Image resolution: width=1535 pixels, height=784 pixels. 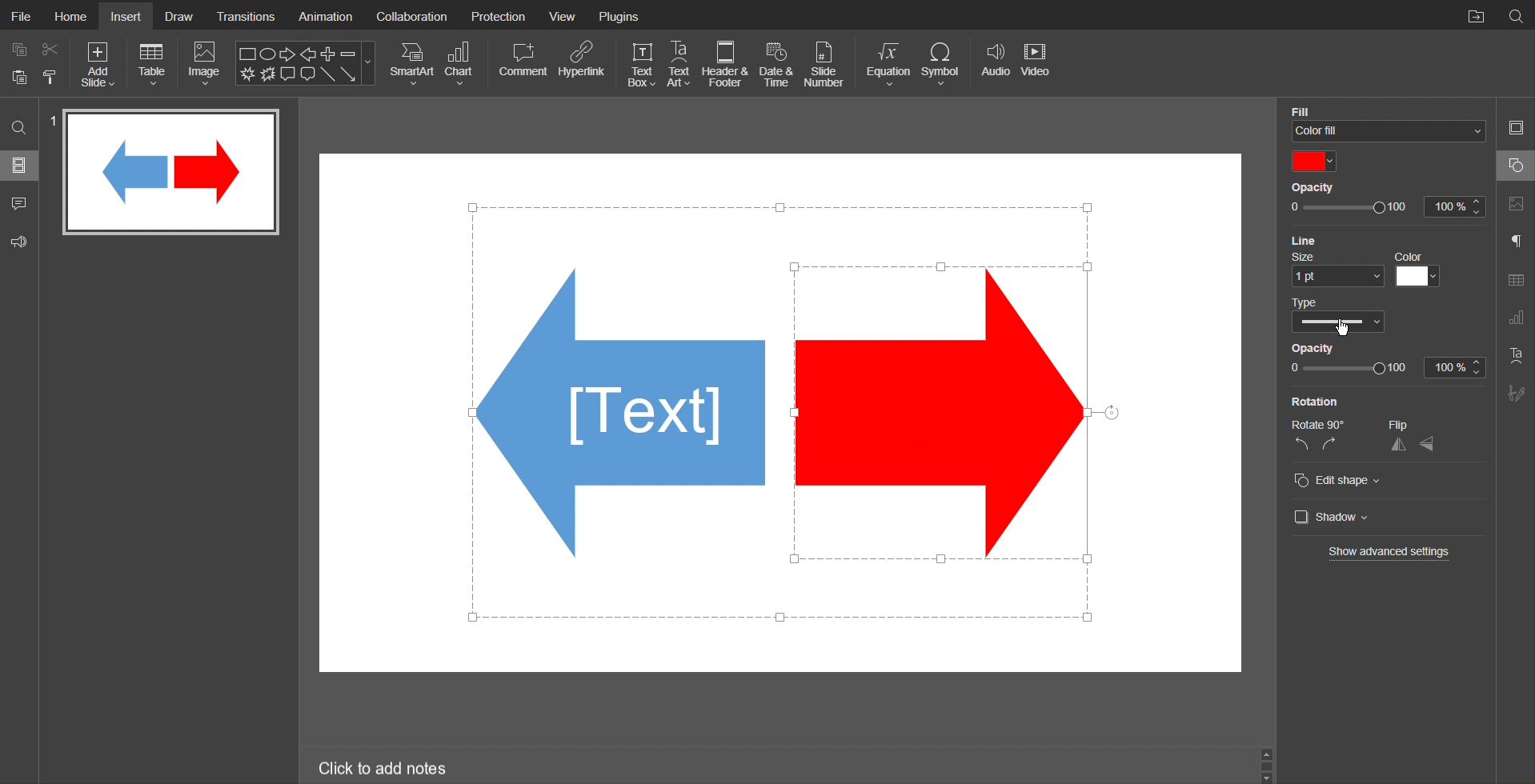 What do you see at coordinates (18, 202) in the screenshot?
I see `Comments` at bounding box center [18, 202].